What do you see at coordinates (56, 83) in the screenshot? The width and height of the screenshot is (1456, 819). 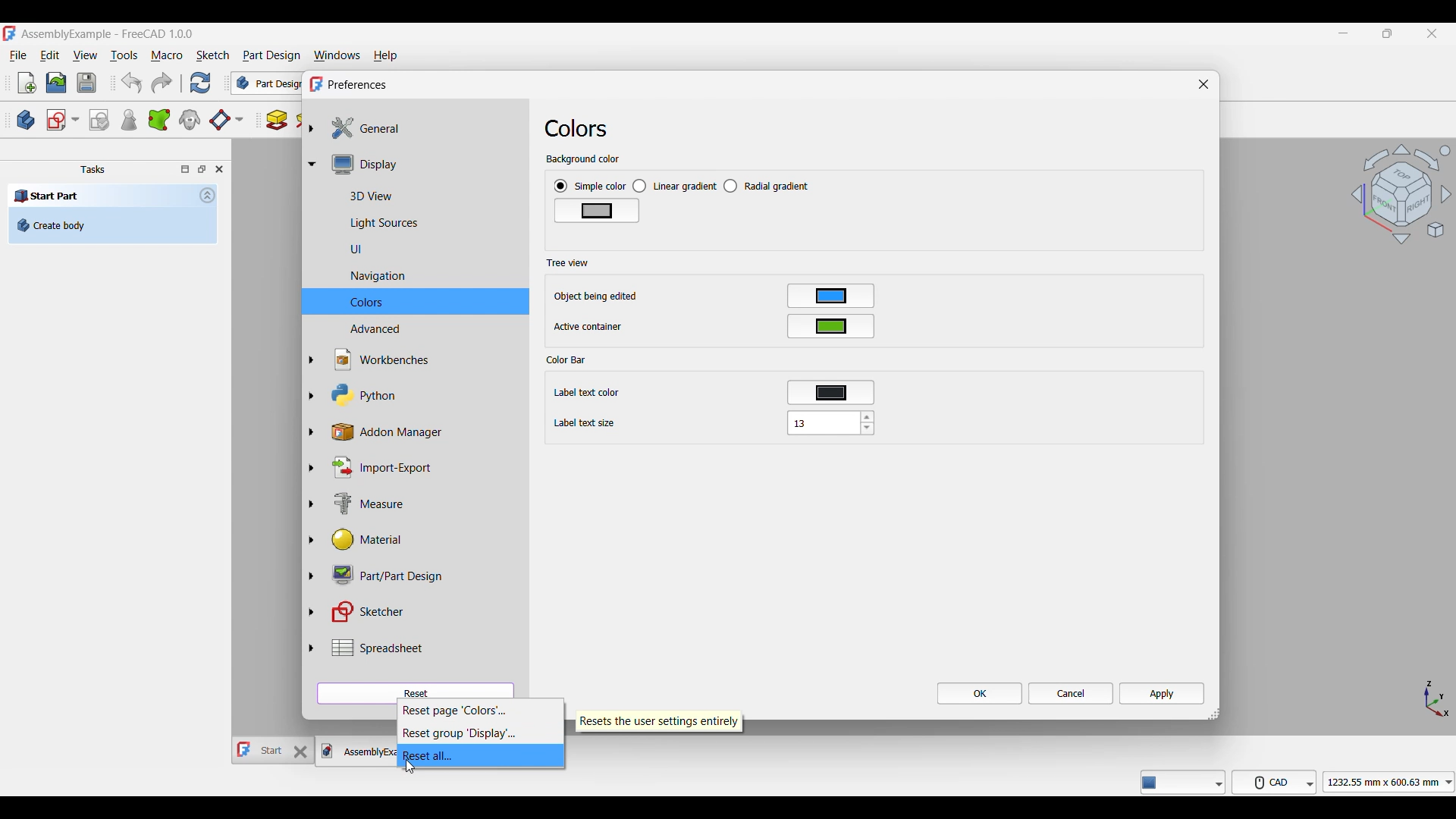 I see `Open` at bounding box center [56, 83].